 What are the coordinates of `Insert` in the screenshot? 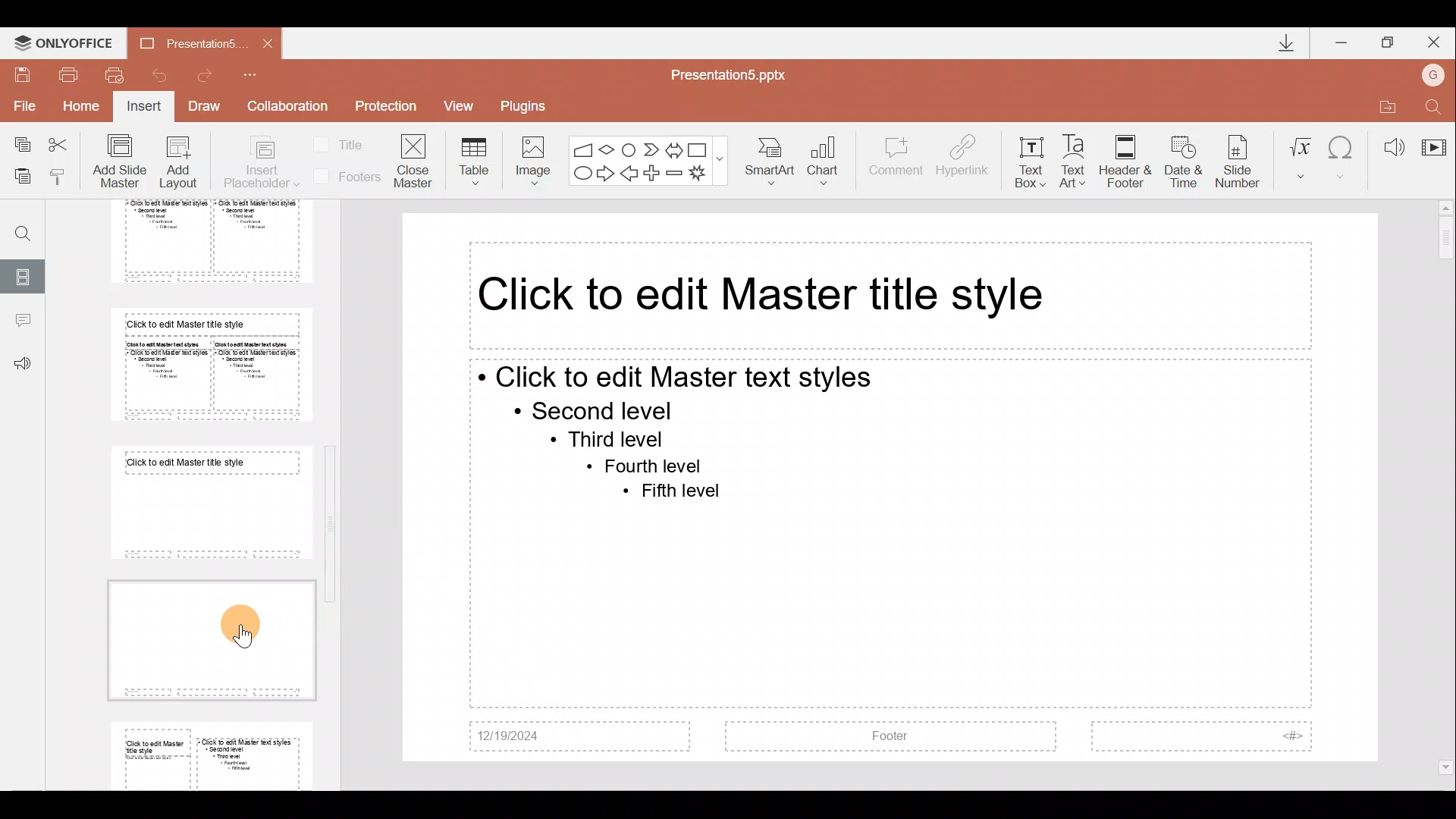 It's located at (145, 108).